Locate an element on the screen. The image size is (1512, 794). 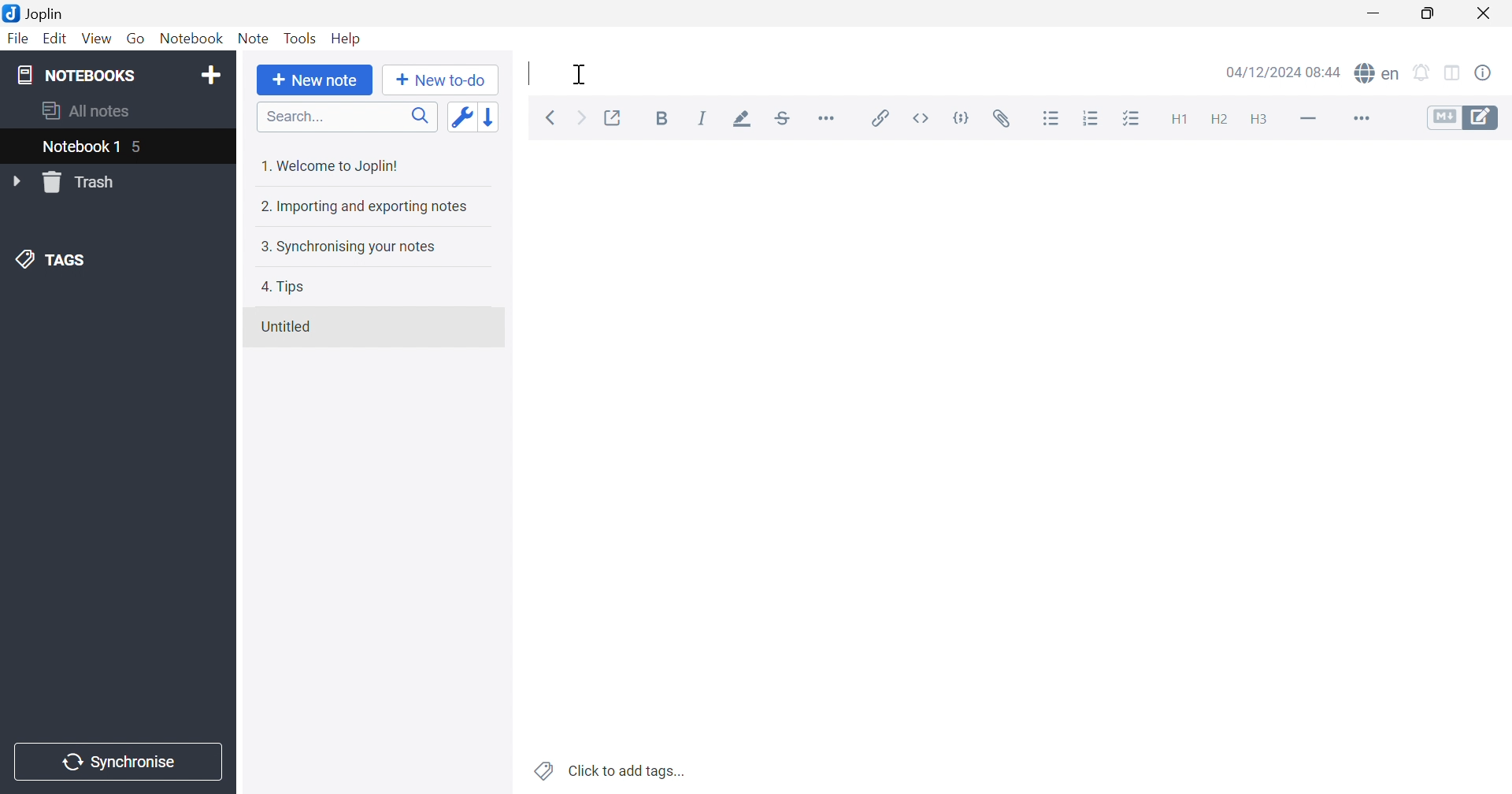
Click to add tags is located at coordinates (606, 770).